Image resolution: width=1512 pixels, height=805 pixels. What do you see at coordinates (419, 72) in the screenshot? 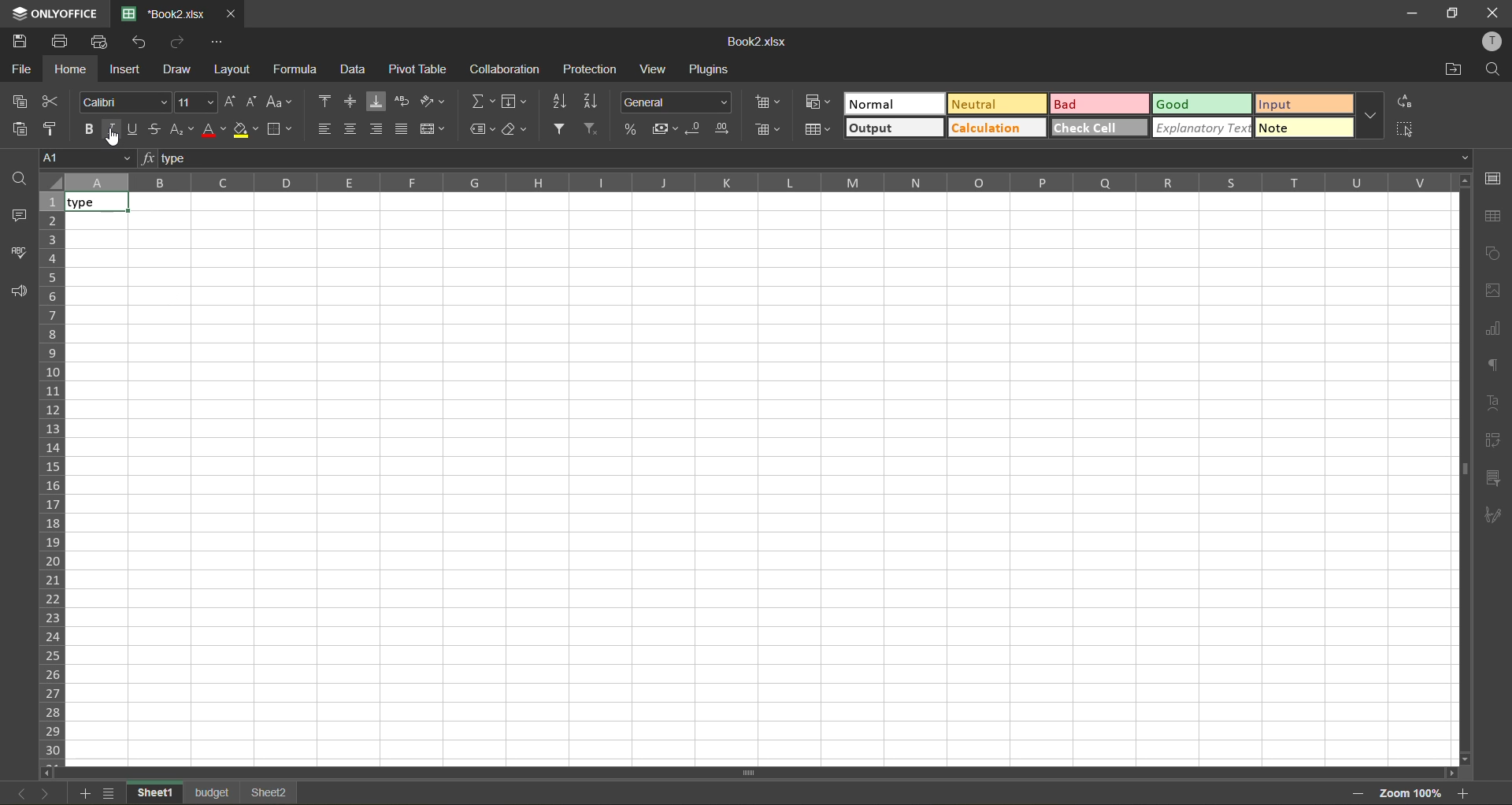
I see `pivot table` at bounding box center [419, 72].